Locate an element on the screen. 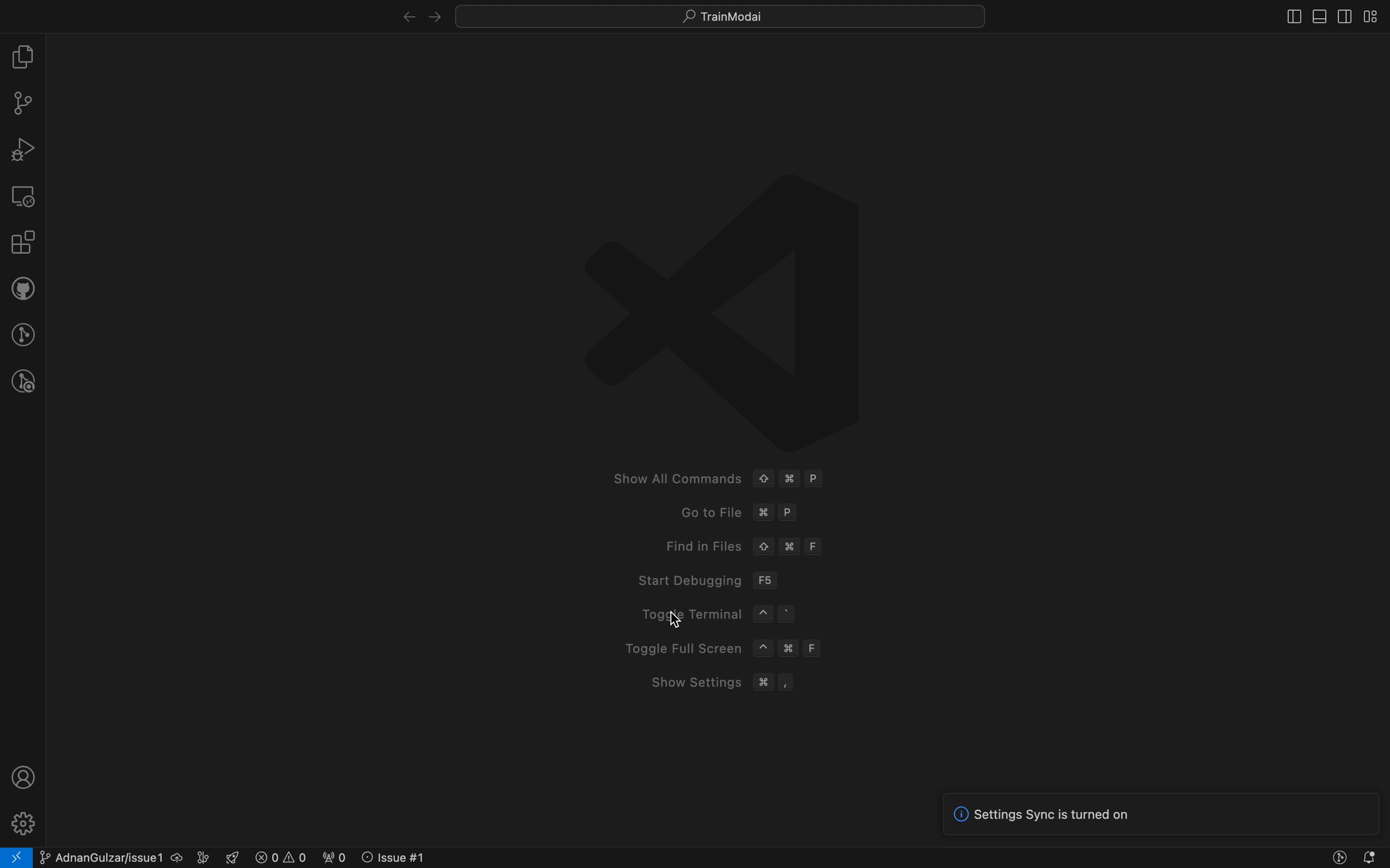  notofications is located at coordinates (1372, 858).